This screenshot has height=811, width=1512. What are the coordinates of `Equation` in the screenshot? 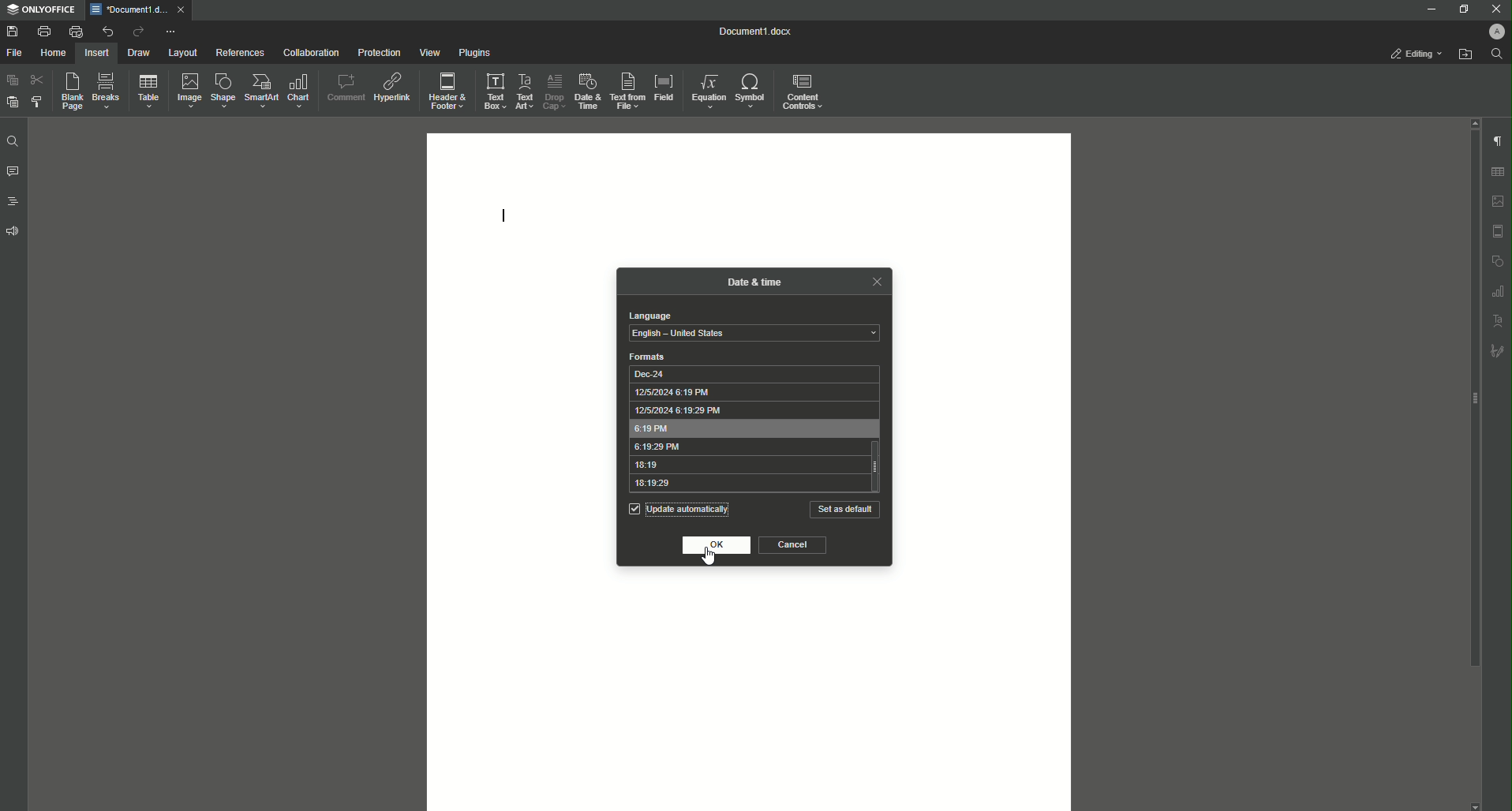 It's located at (709, 91).